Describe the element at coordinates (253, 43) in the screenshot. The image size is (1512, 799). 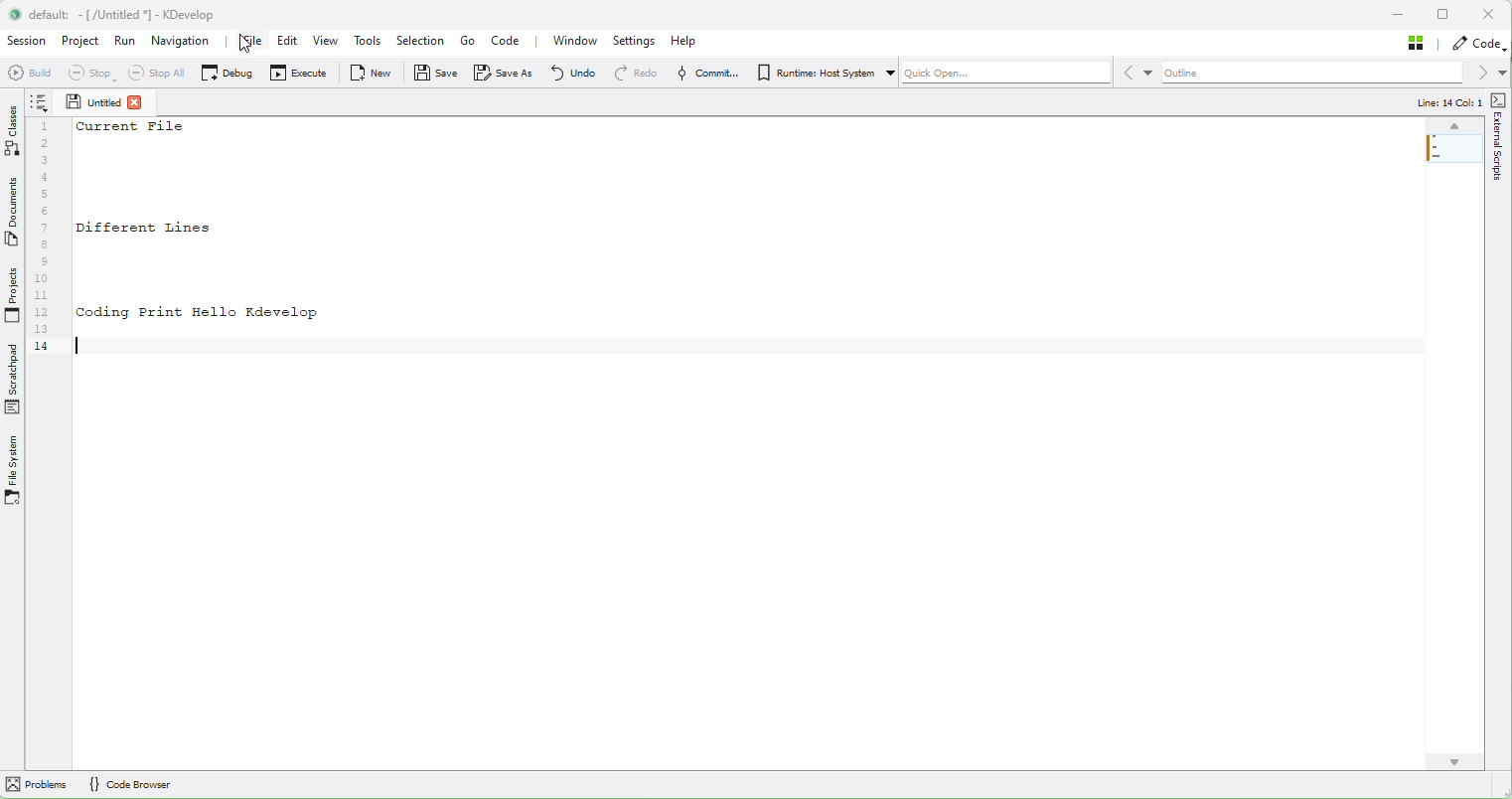
I see `File` at that location.